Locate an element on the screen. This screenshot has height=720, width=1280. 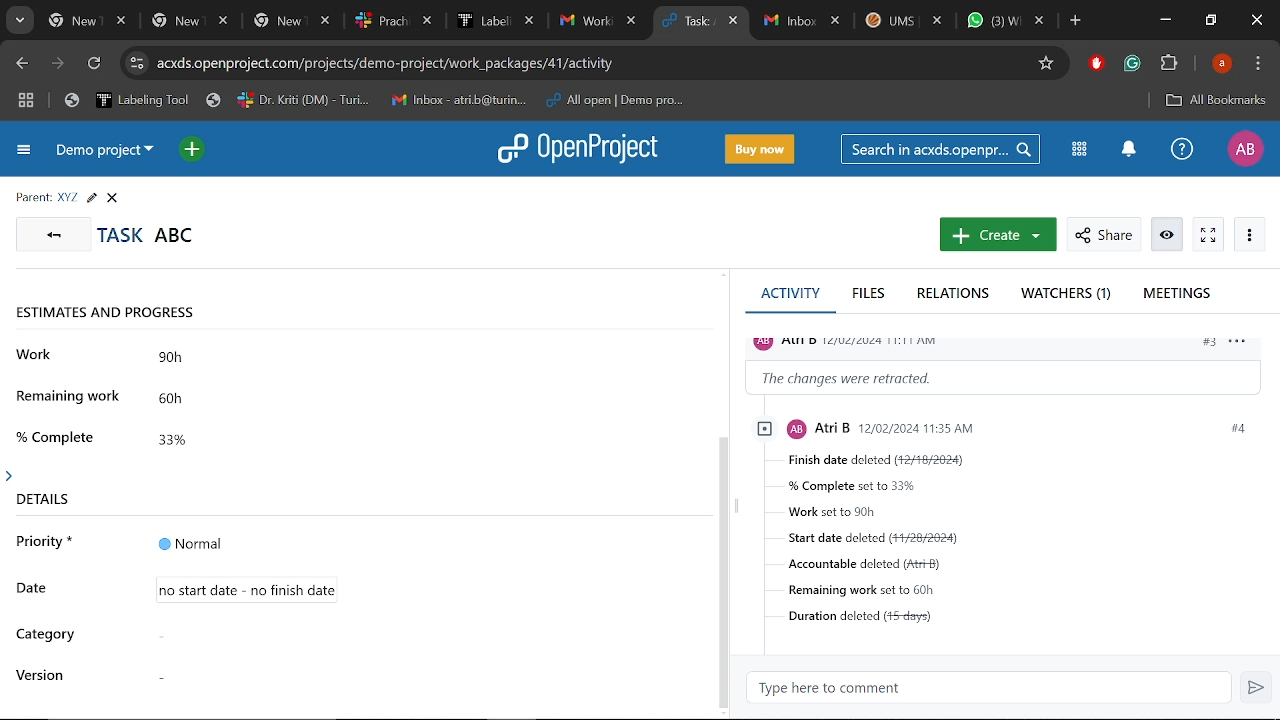
date is located at coordinates (38, 588).